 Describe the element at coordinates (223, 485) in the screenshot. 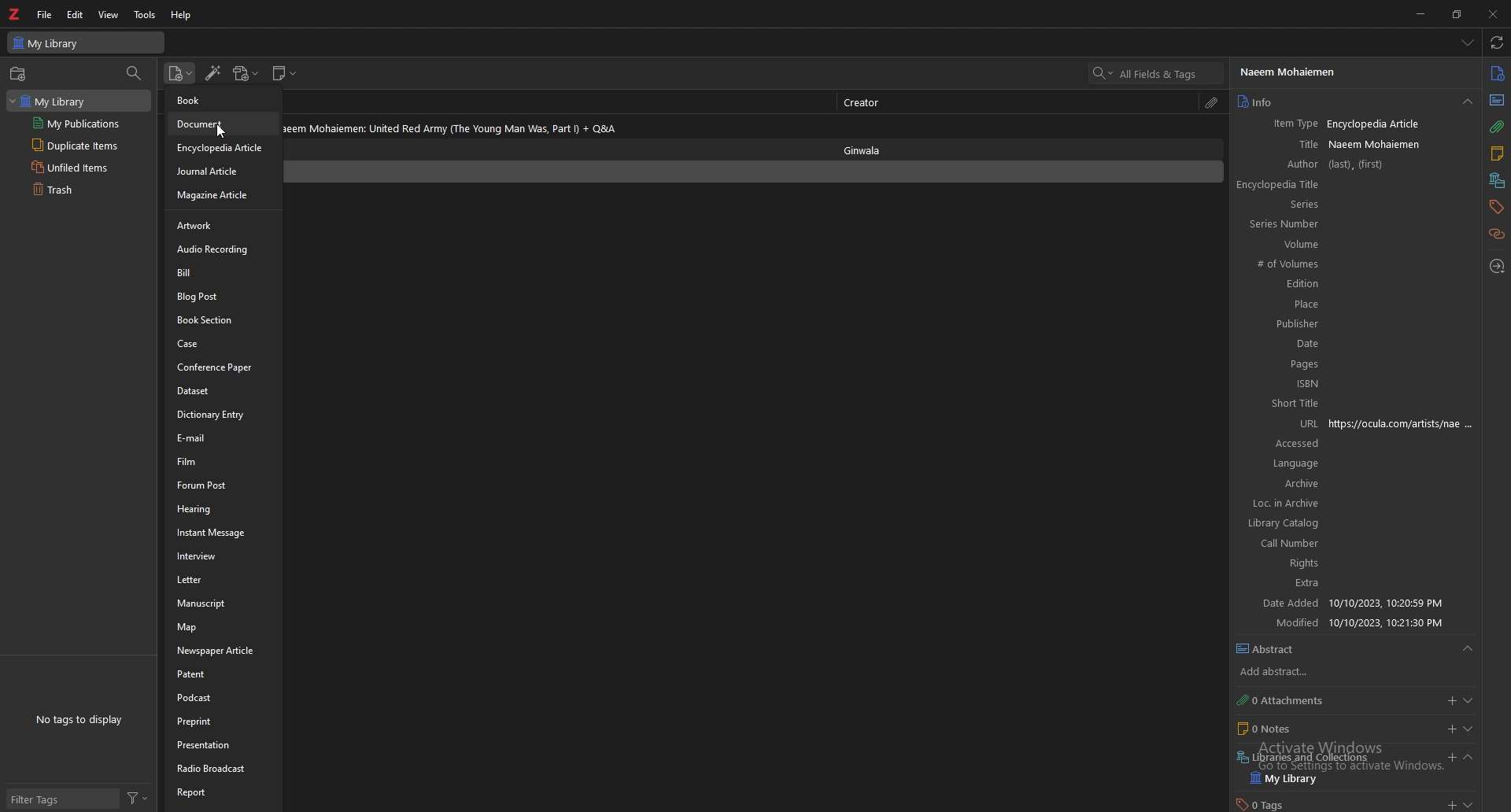

I see `forum post` at that location.